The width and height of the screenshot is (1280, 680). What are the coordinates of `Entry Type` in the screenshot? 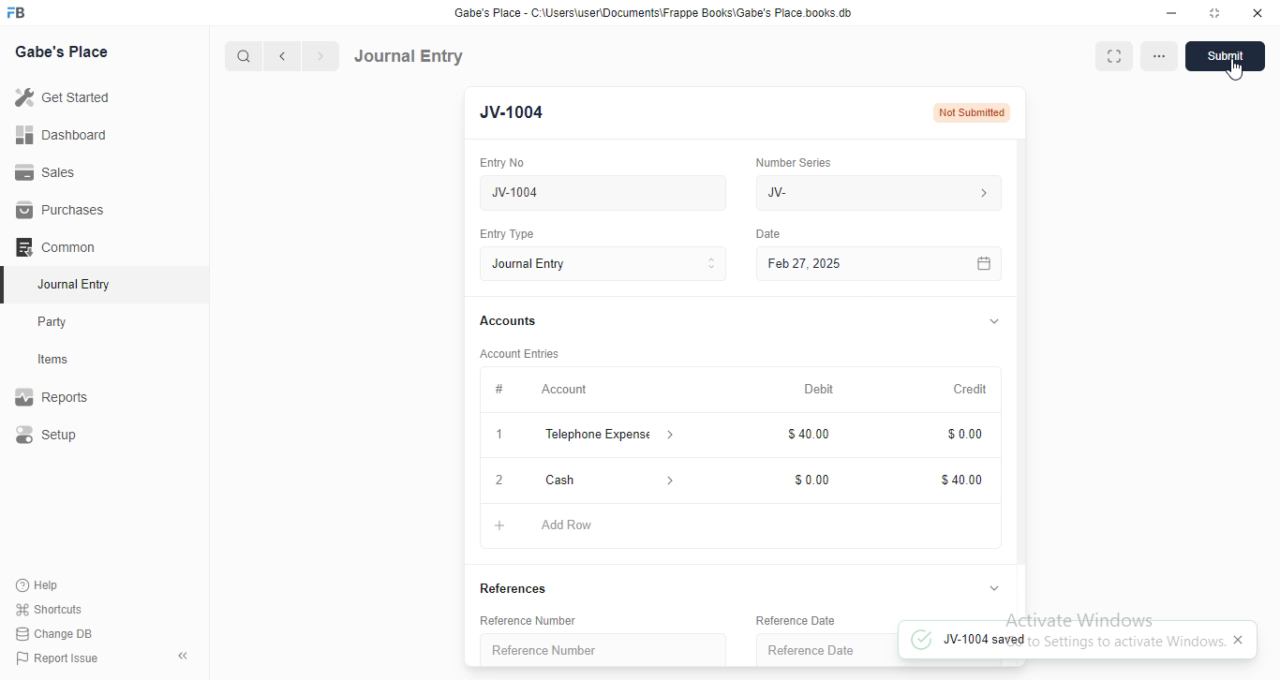 It's located at (507, 235).